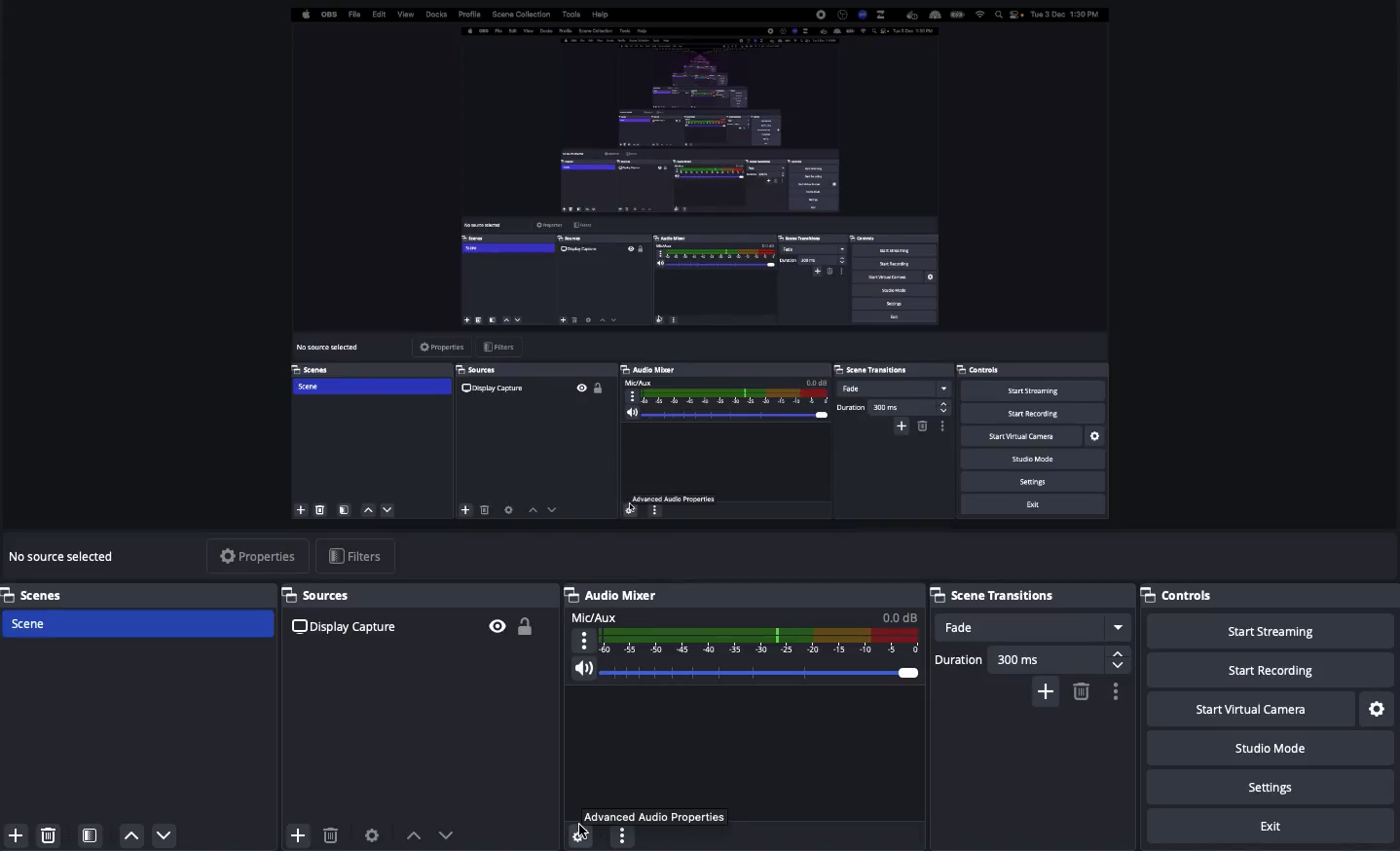 The image size is (1400, 851). I want to click on Delete, so click(1083, 690).